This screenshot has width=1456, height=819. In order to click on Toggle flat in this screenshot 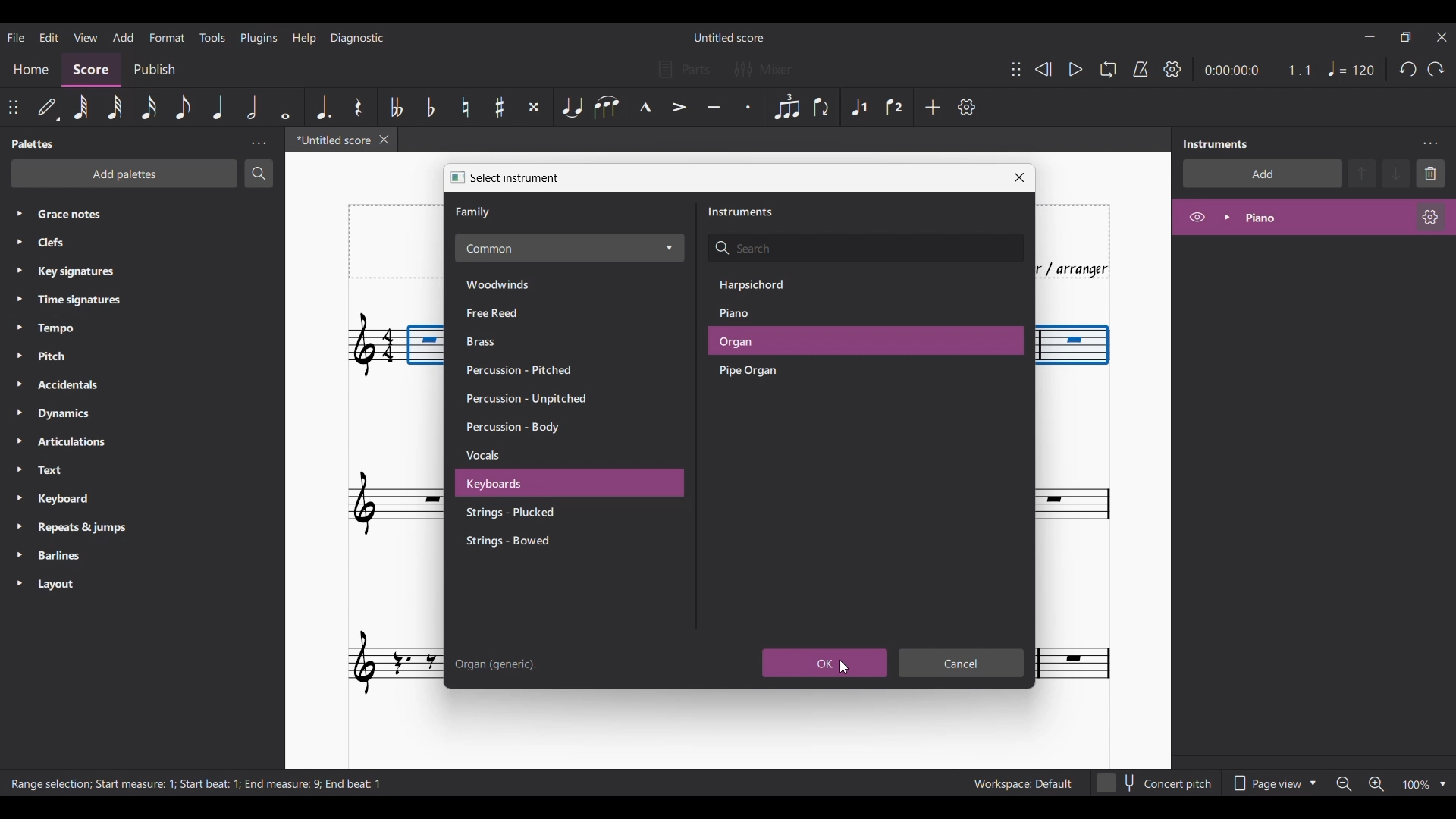, I will do `click(431, 107)`.